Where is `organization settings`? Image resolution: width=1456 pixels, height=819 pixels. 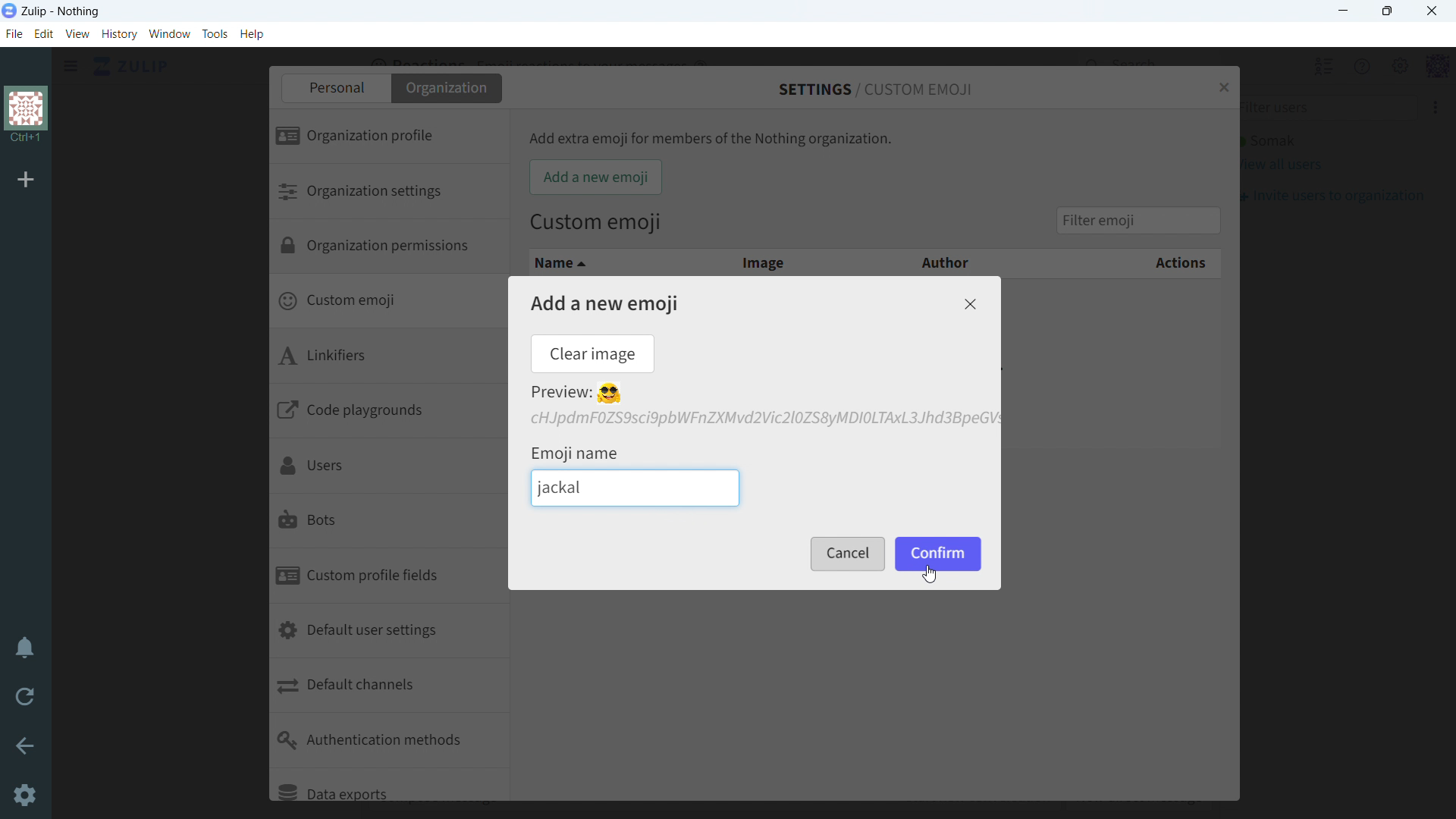
organization settings is located at coordinates (387, 192).